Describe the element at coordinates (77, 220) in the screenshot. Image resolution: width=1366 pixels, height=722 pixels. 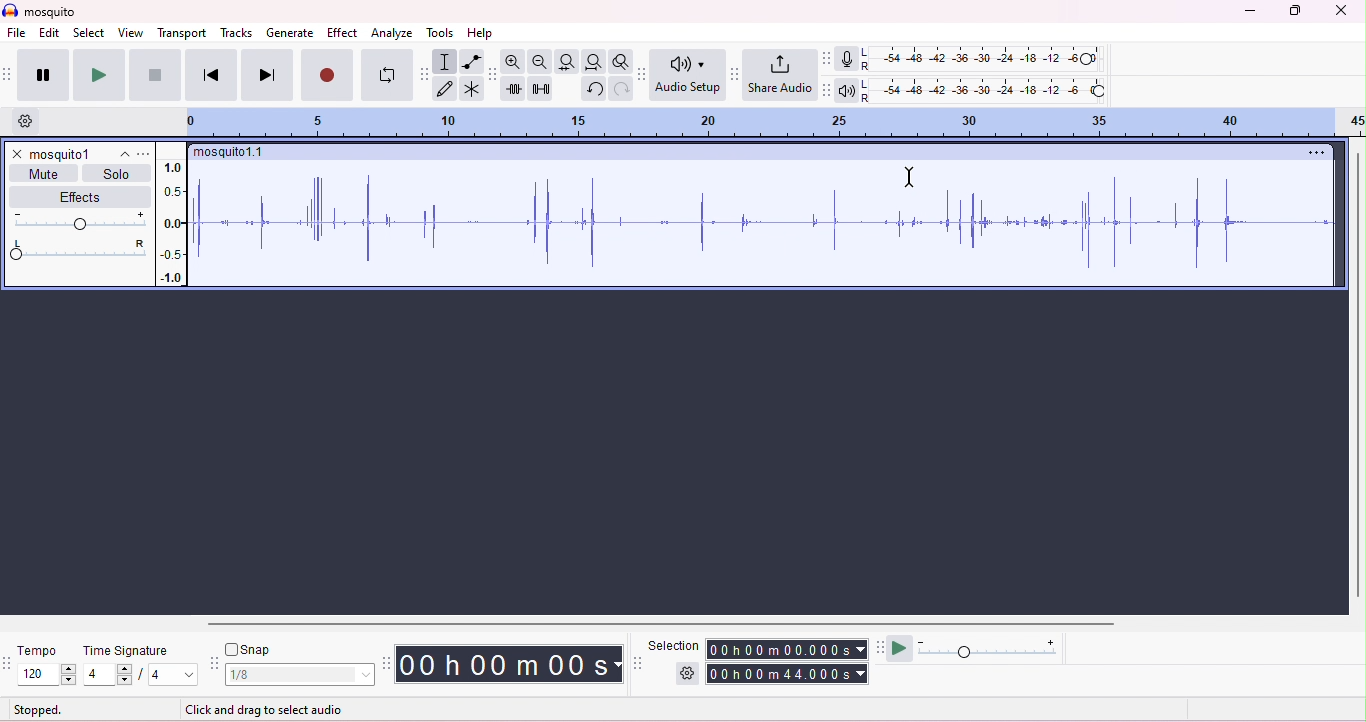
I see `volume` at that location.